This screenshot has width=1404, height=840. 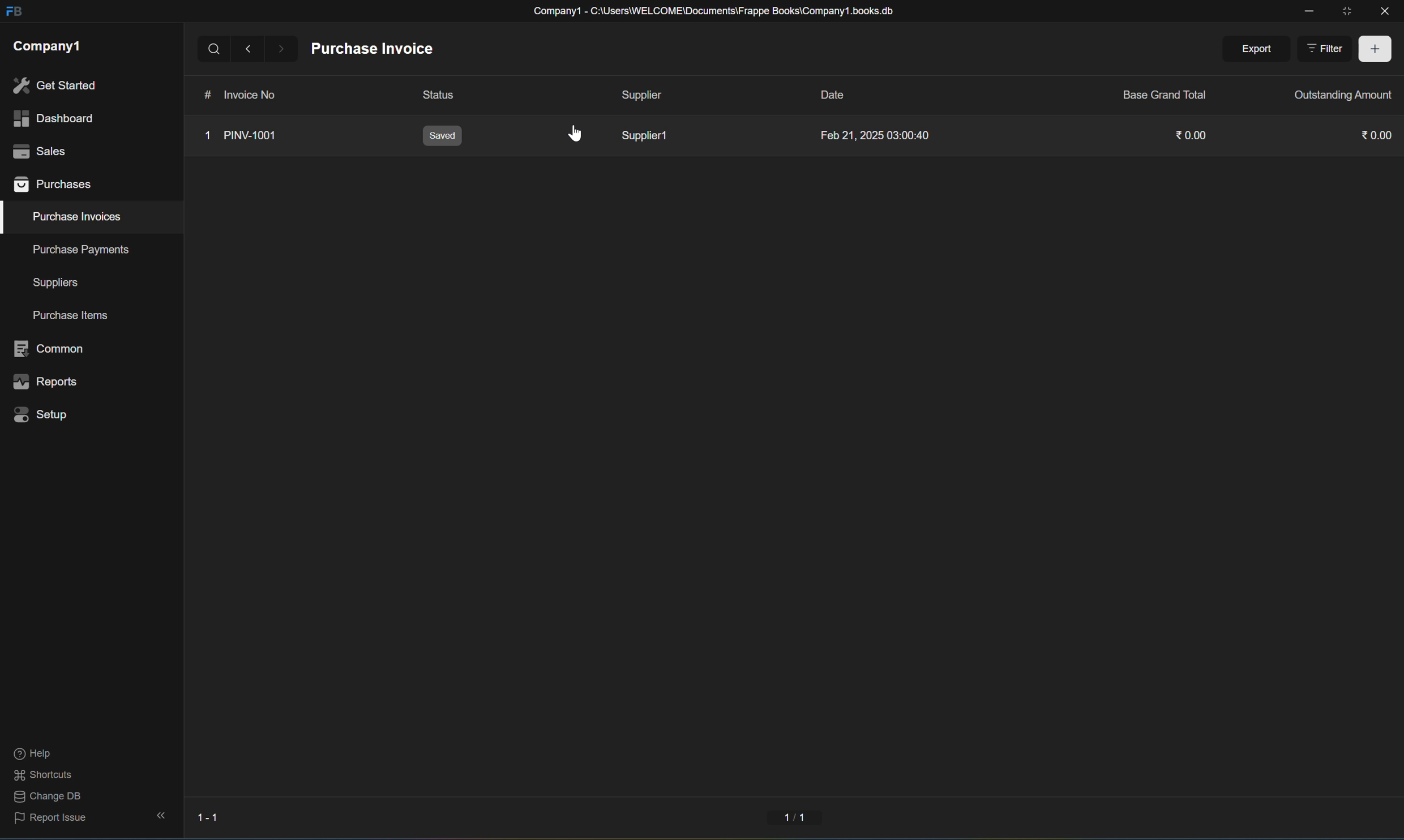 I want to click on ₹0.00, so click(x=1194, y=135).